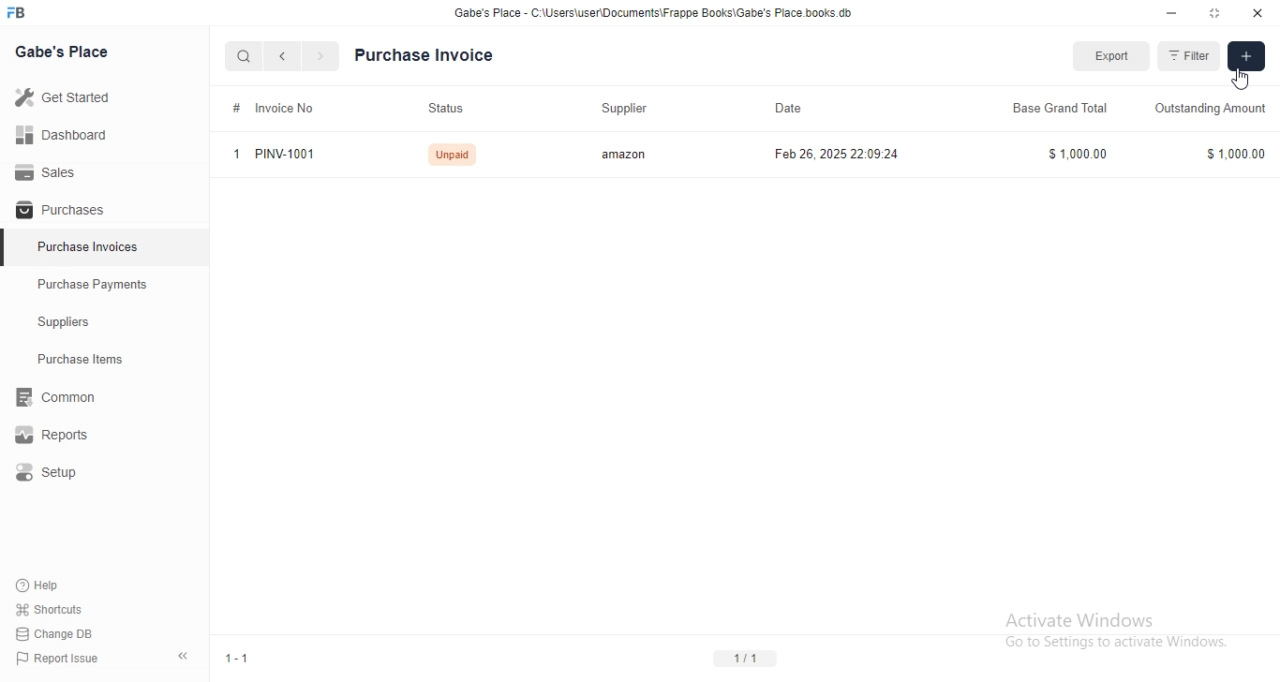  Describe the element at coordinates (452, 155) in the screenshot. I see `Unpaid` at that location.